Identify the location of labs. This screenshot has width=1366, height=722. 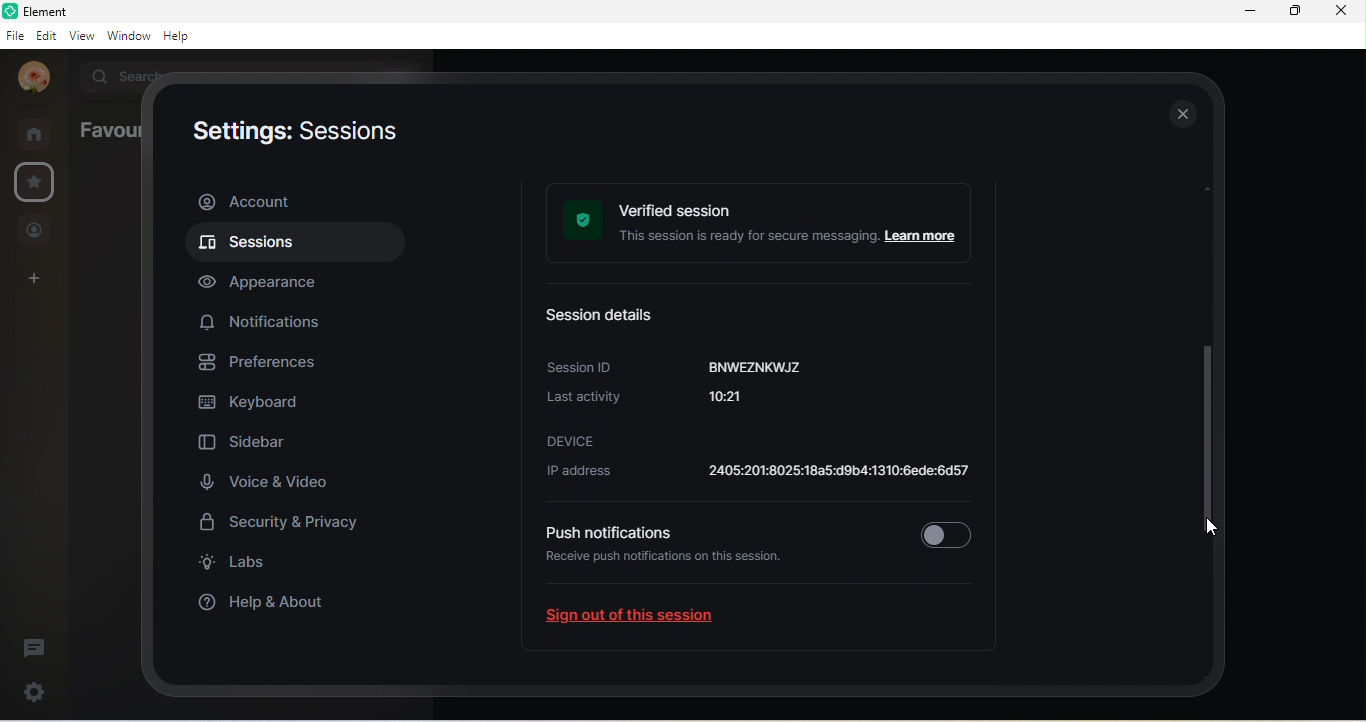
(241, 565).